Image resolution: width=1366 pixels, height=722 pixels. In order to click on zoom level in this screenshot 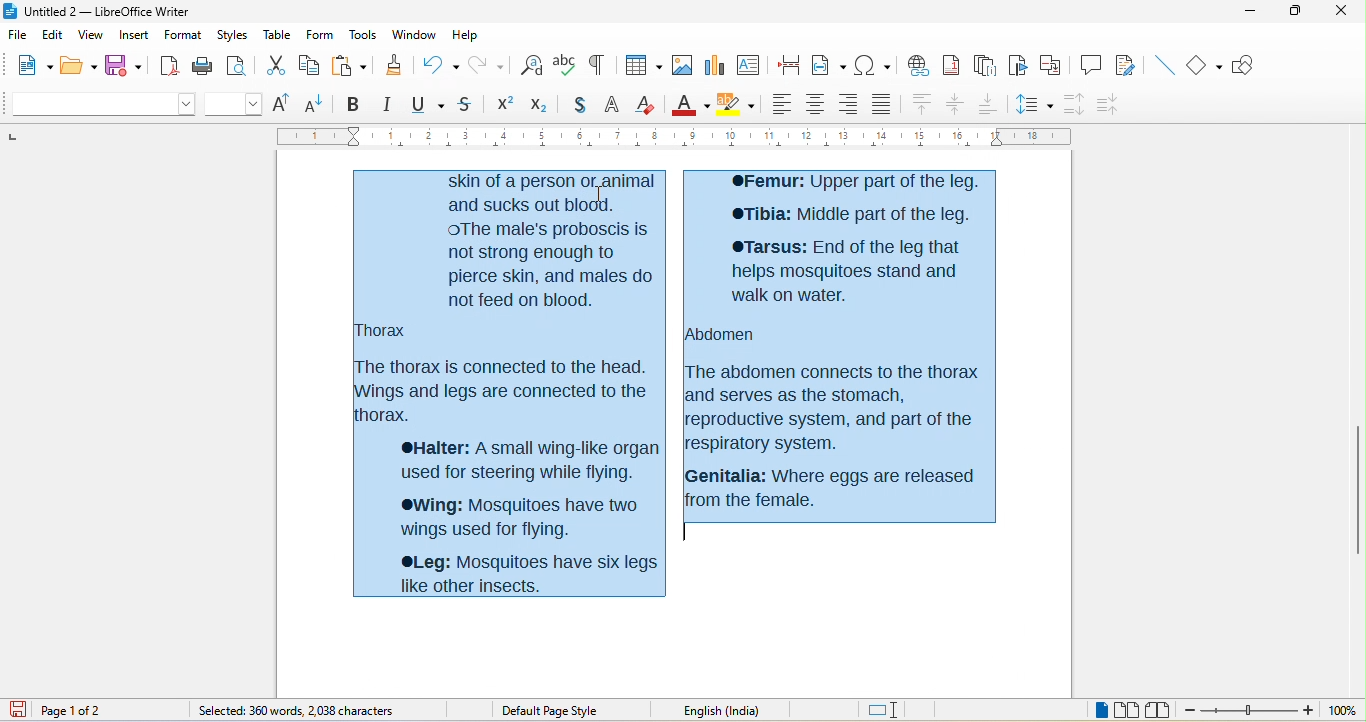, I will do `click(1342, 711)`.